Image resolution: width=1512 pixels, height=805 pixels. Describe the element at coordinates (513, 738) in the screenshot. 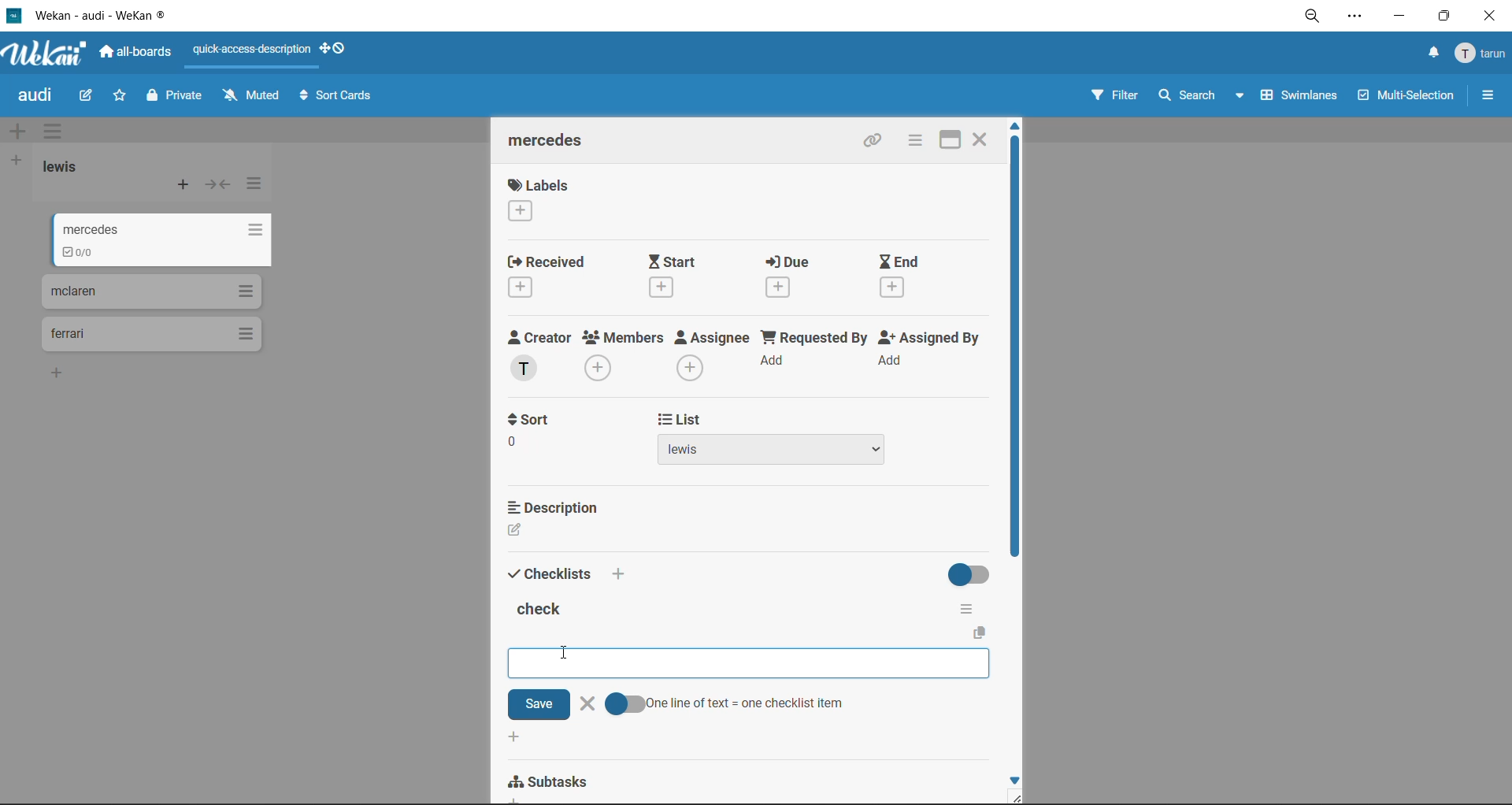

I see `add` at that location.